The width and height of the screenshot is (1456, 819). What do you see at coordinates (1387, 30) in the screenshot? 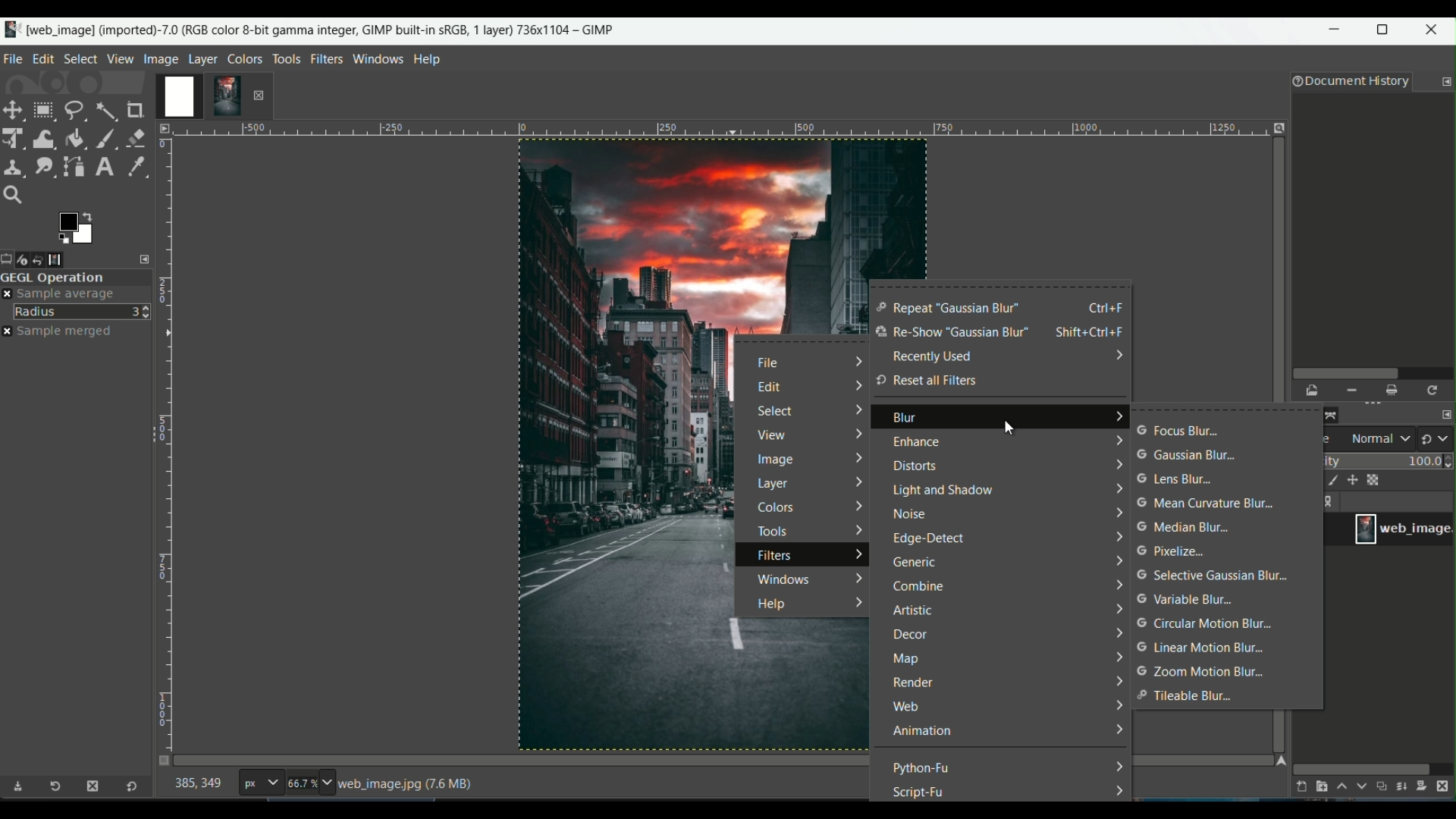
I see `maximize or restore` at bounding box center [1387, 30].